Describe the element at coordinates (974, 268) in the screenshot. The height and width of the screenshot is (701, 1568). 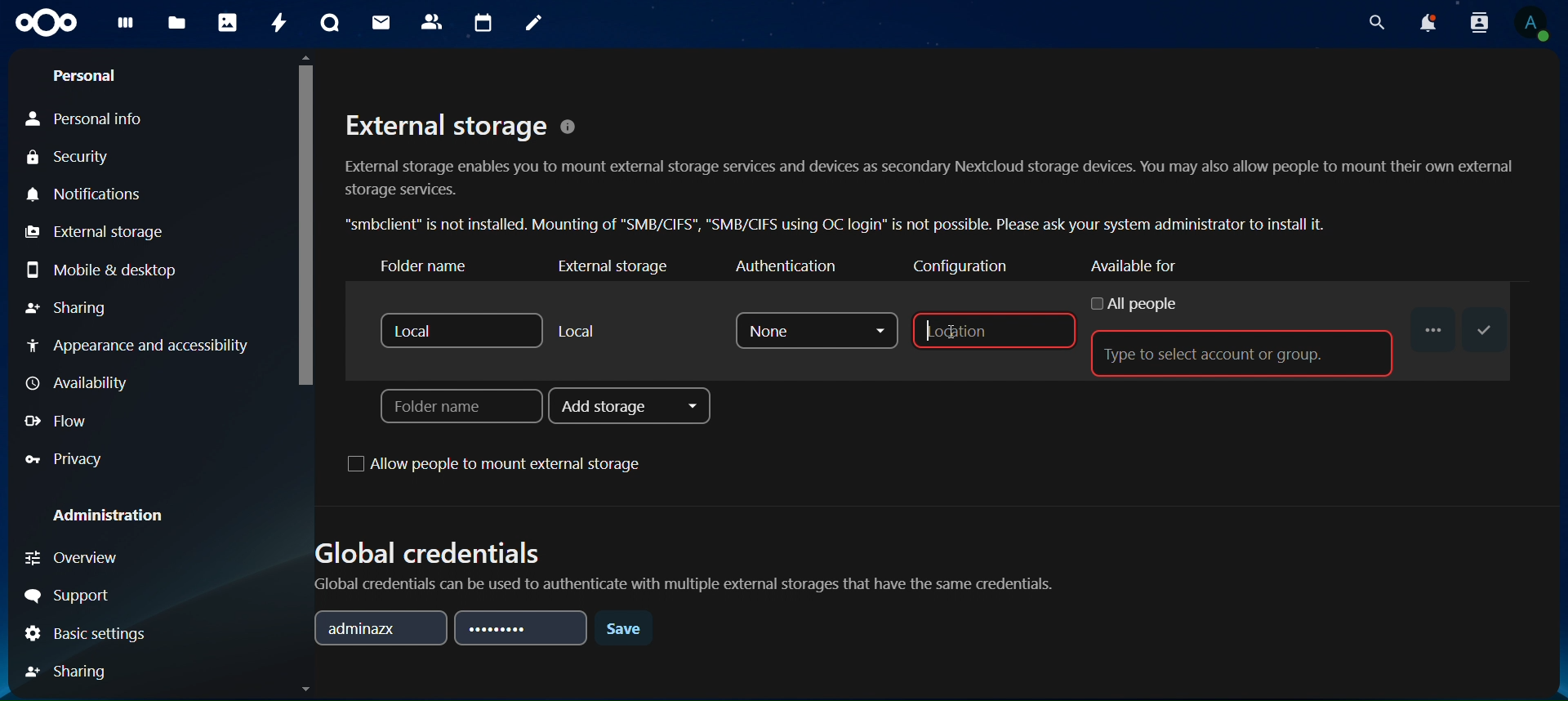
I see `configuration` at that location.